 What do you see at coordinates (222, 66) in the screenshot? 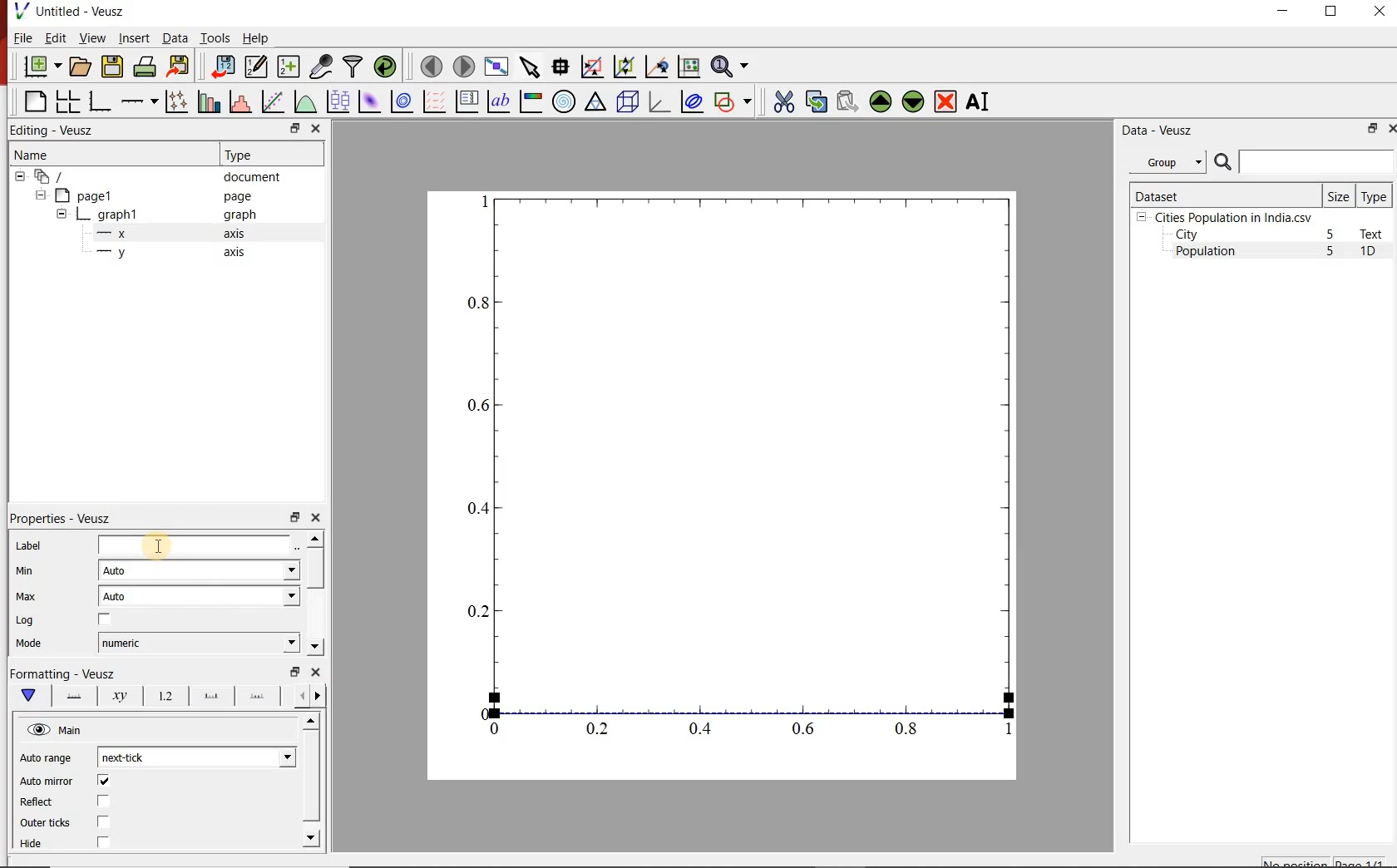
I see `import data into Veusz` at bounding box center [222, 66].